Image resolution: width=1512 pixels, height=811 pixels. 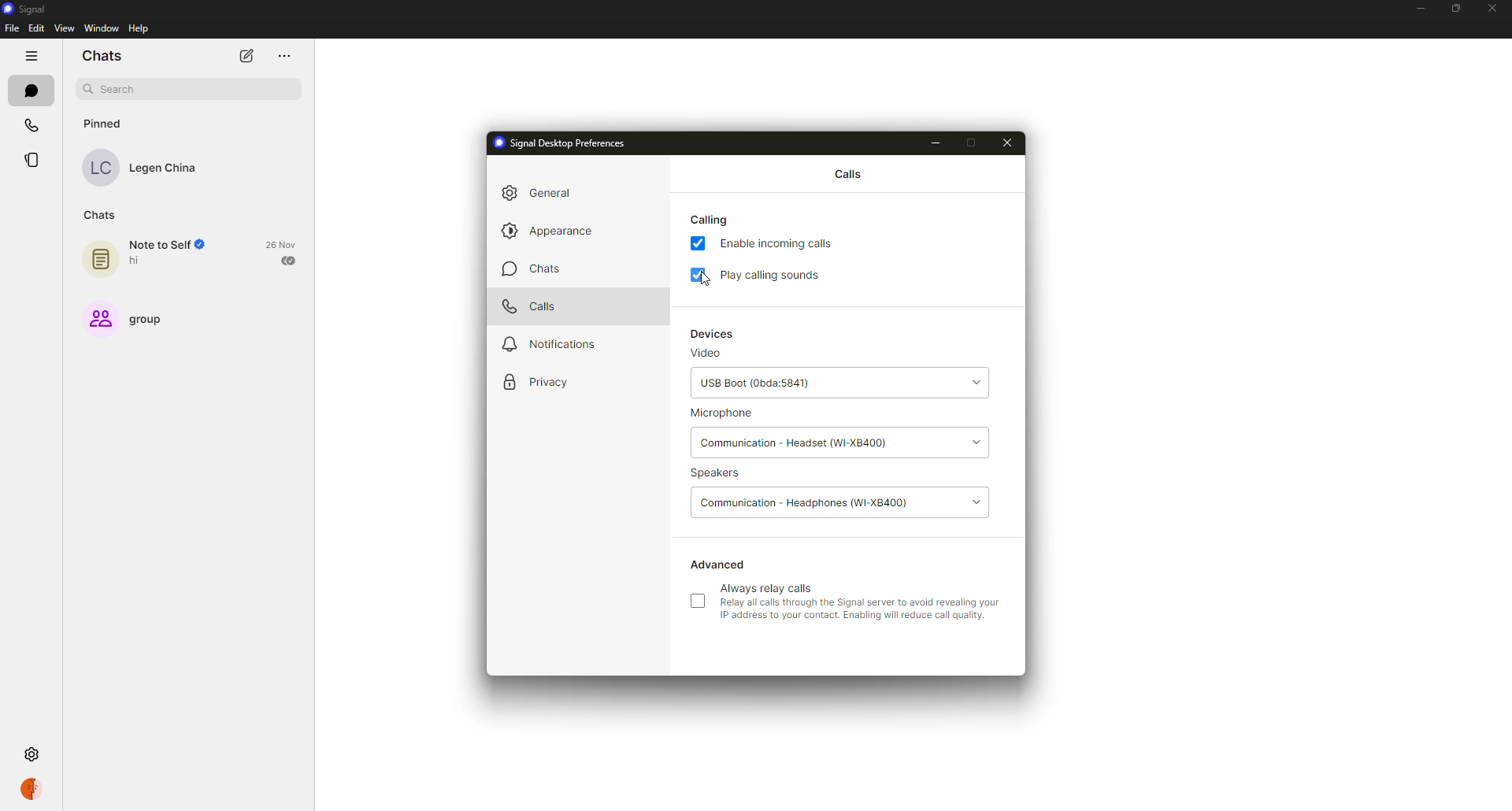 What do you see at coordinates (1420, 8) in the screenshot?
I see `minimize` at bounding box center [1420, 8].